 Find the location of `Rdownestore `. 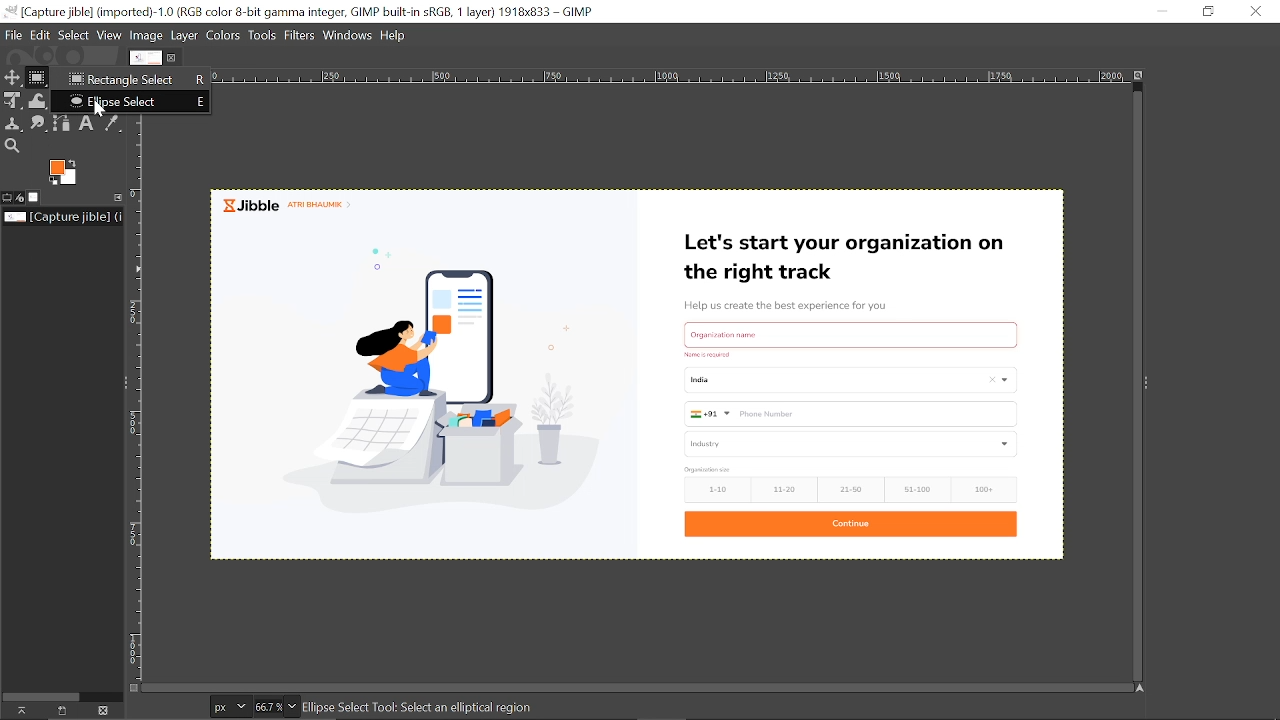

Rdownestore  is located at coordinates (1210, 11).